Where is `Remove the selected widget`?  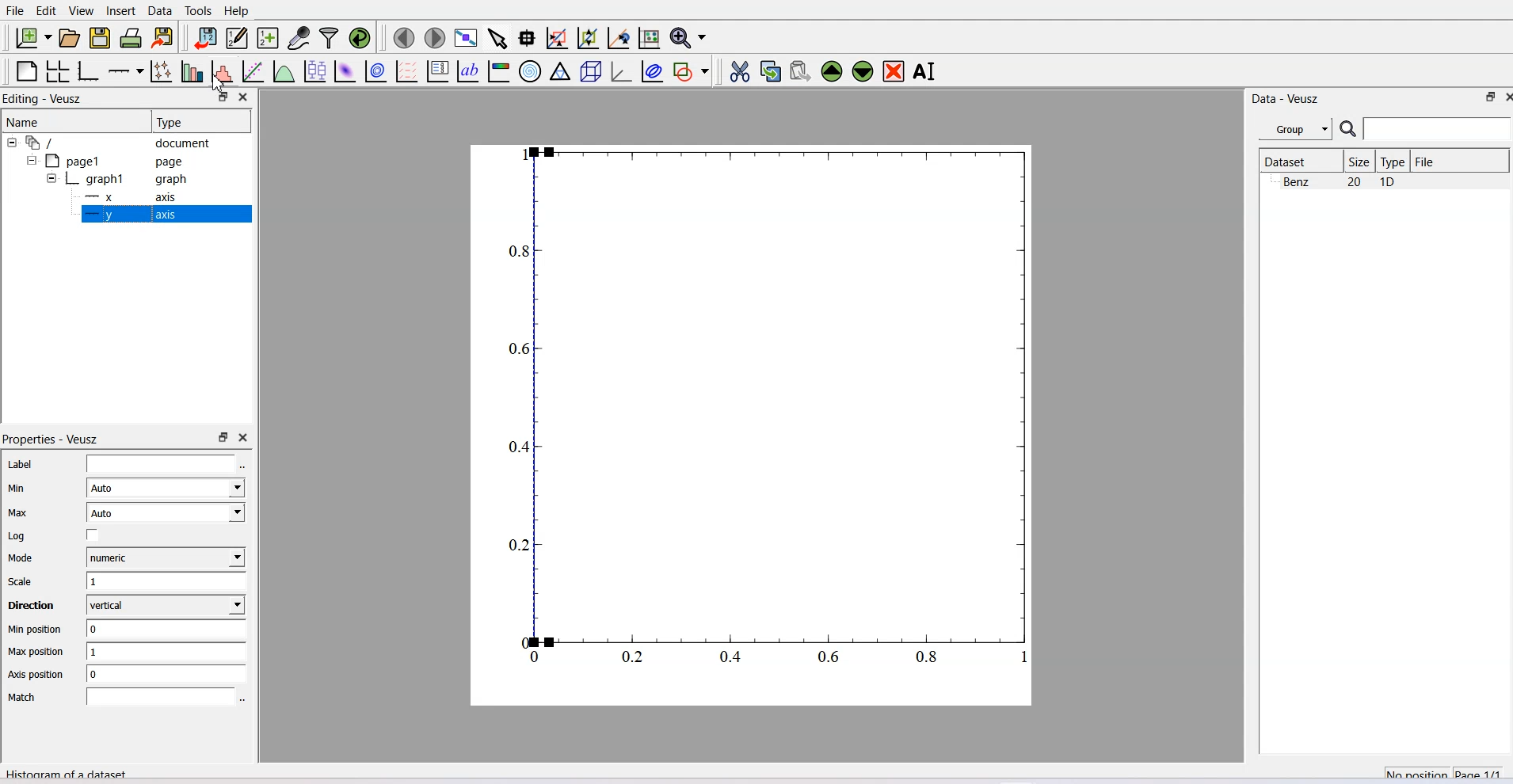
Remove the selected widget is located at coordinates (893, 71).